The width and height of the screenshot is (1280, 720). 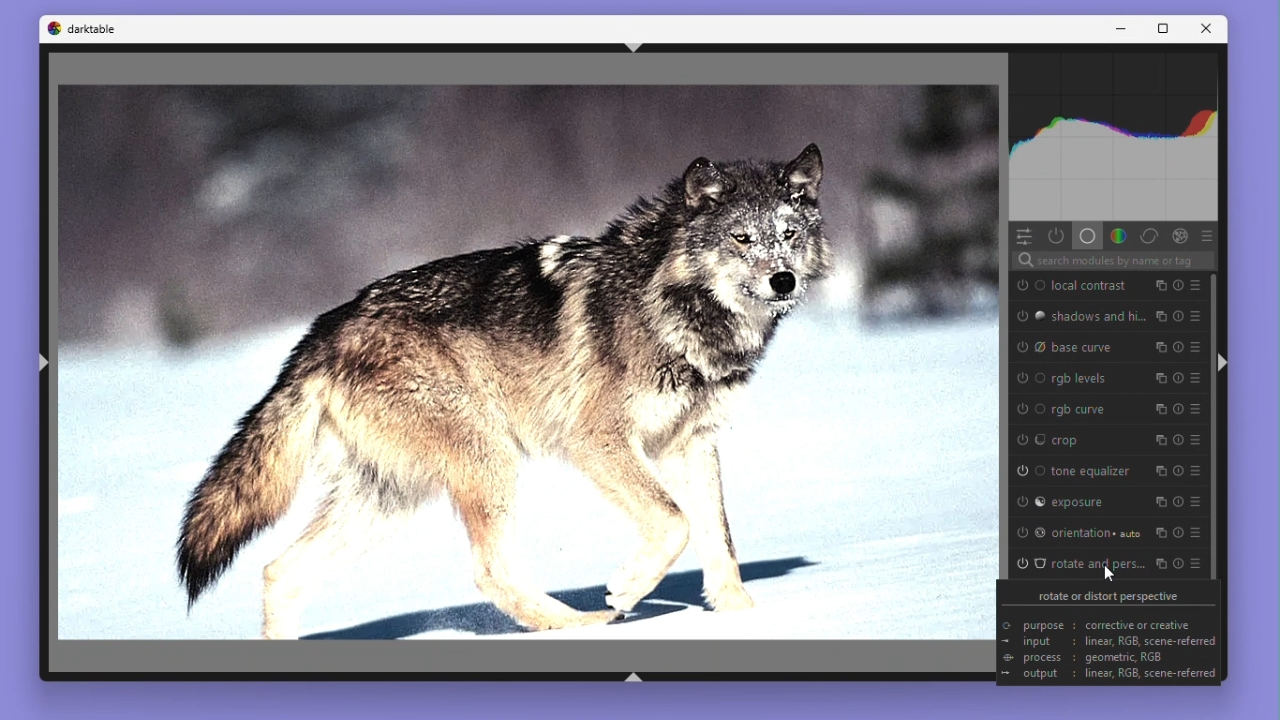 What do you see at coordinates (1108, 260) in the screenshot?
I see `Search bar` at bounding box center [1108, 260].